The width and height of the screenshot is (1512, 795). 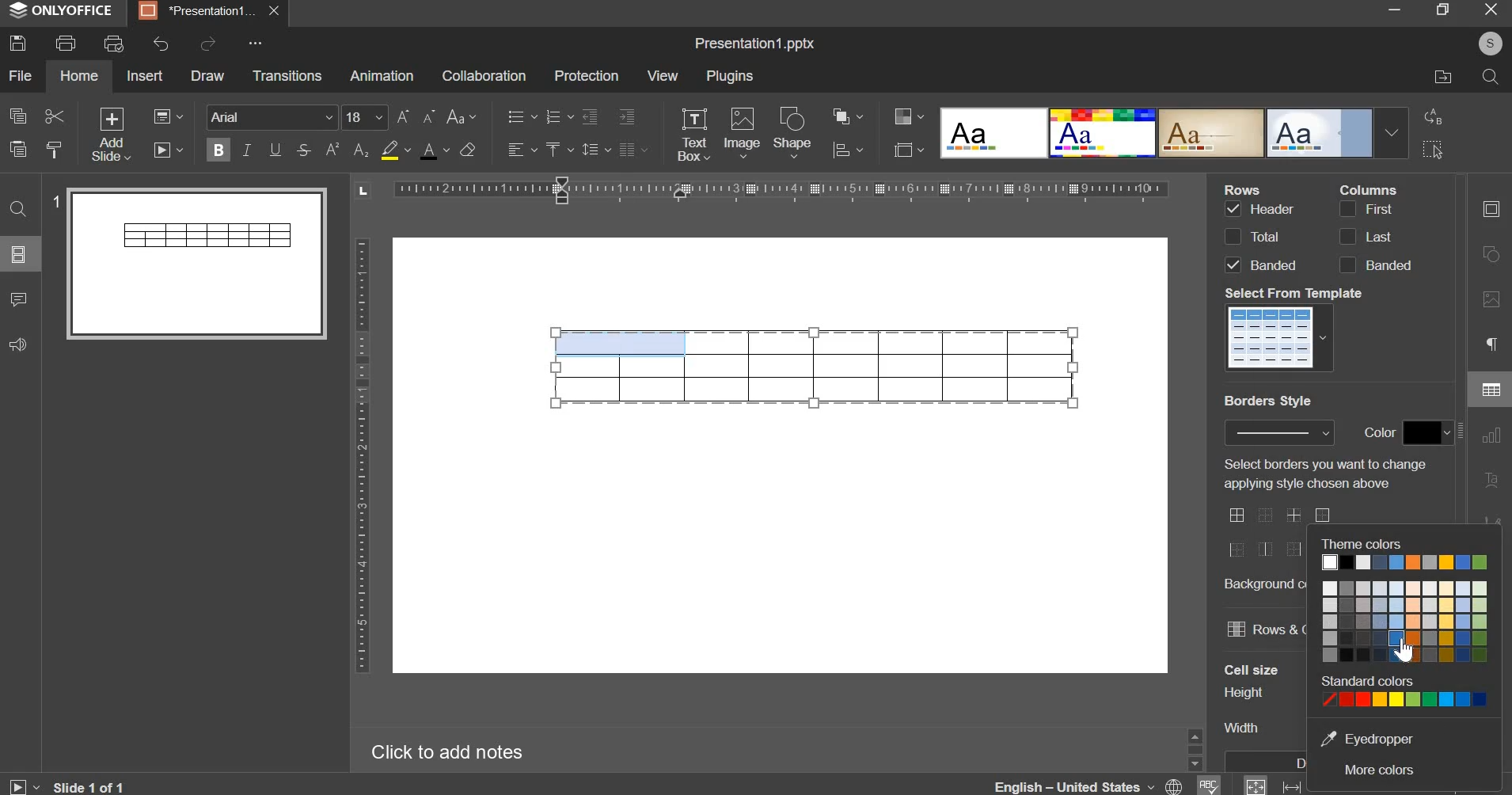 What do you see at coordinates (17, 43) in the screenshot?
I see `save` at bounding box center [17, 43].